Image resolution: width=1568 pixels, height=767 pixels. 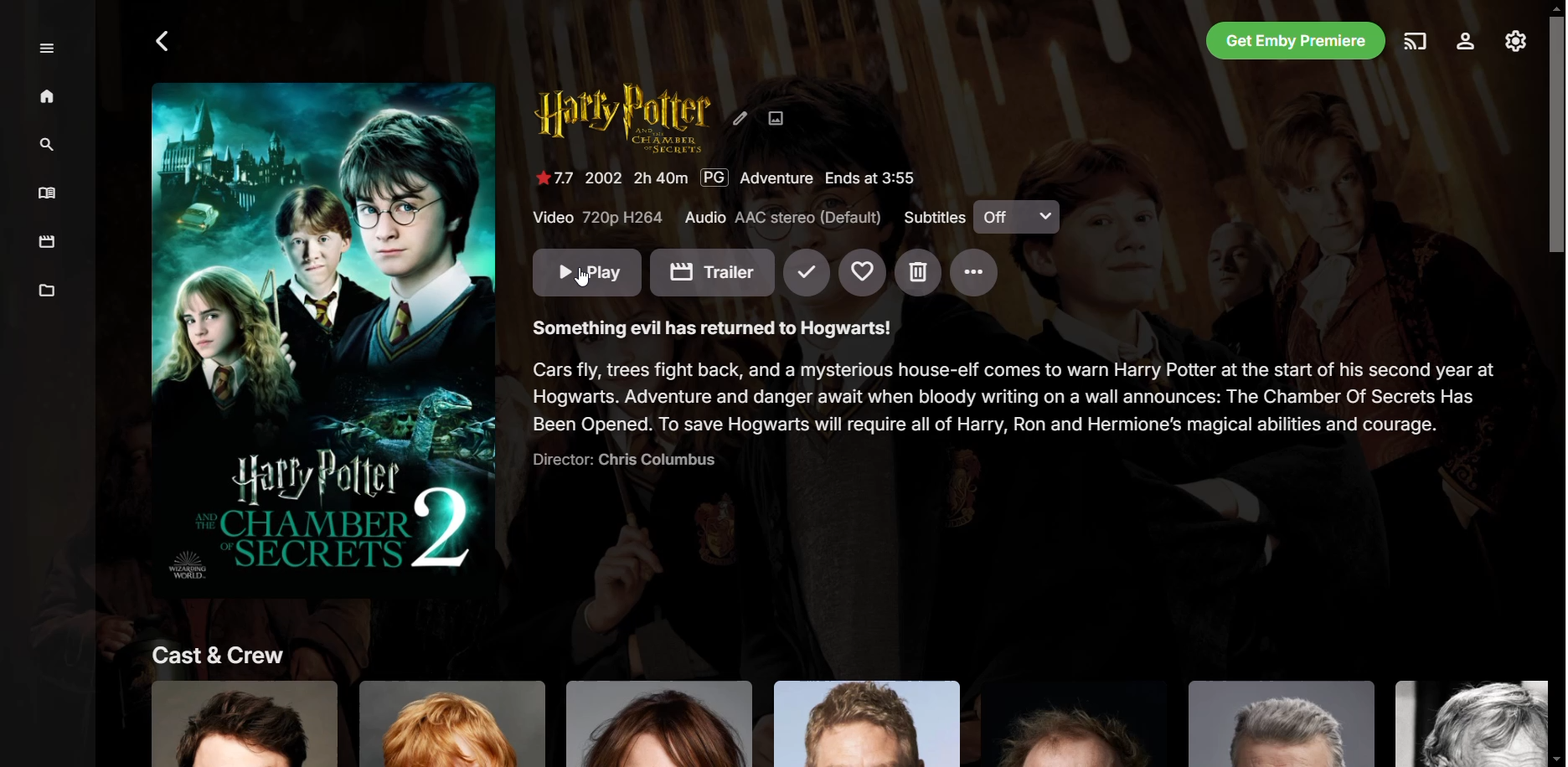 What do you see at coordinates (778, 120) in the screenshot?
I see `Edit Images` at bounding box center [778, 120].